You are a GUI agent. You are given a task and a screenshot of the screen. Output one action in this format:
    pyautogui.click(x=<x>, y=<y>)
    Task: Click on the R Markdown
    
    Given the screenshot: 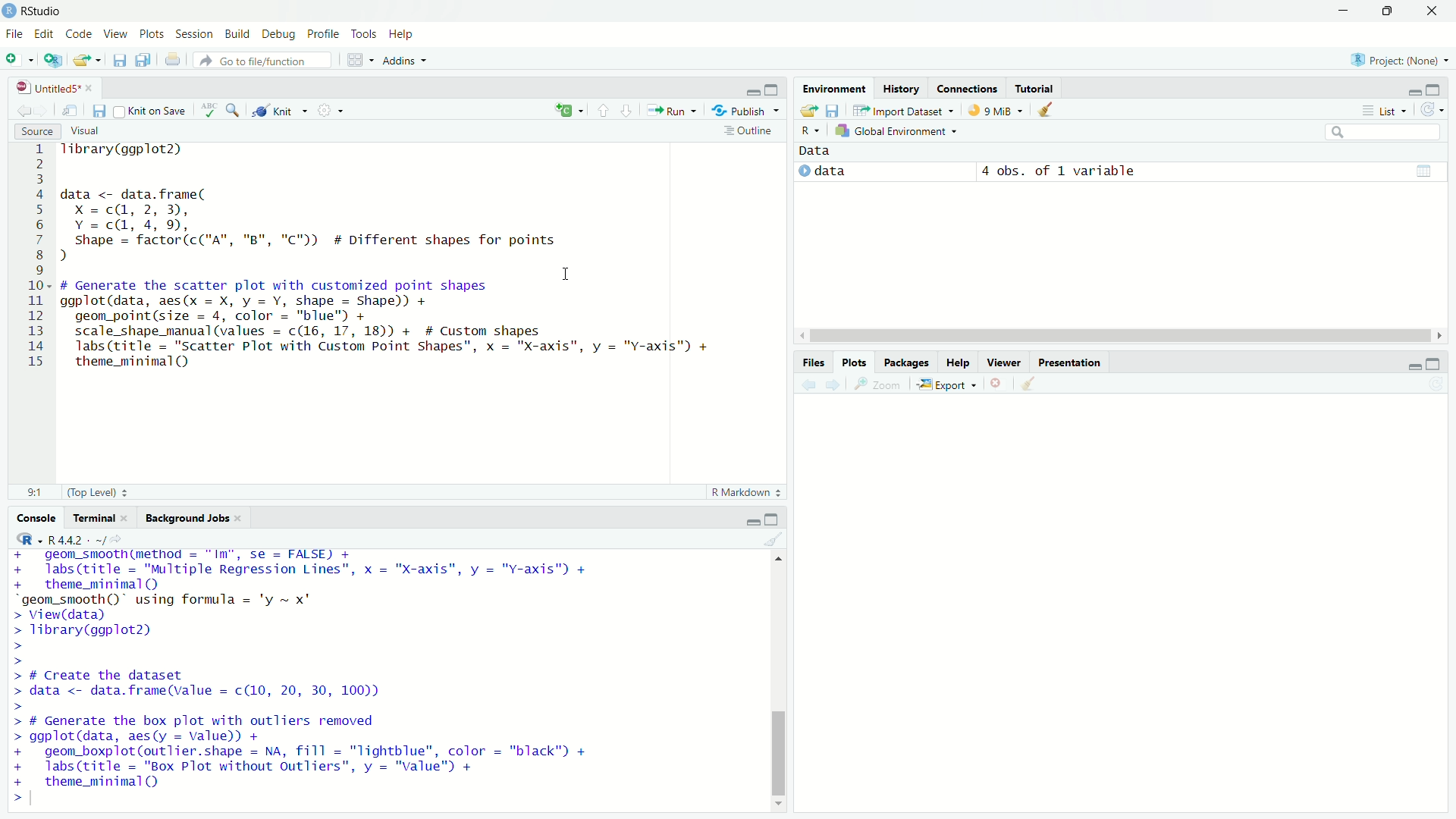 What is the action you would take?
    pyautogui.click(x=747, y=492)
    